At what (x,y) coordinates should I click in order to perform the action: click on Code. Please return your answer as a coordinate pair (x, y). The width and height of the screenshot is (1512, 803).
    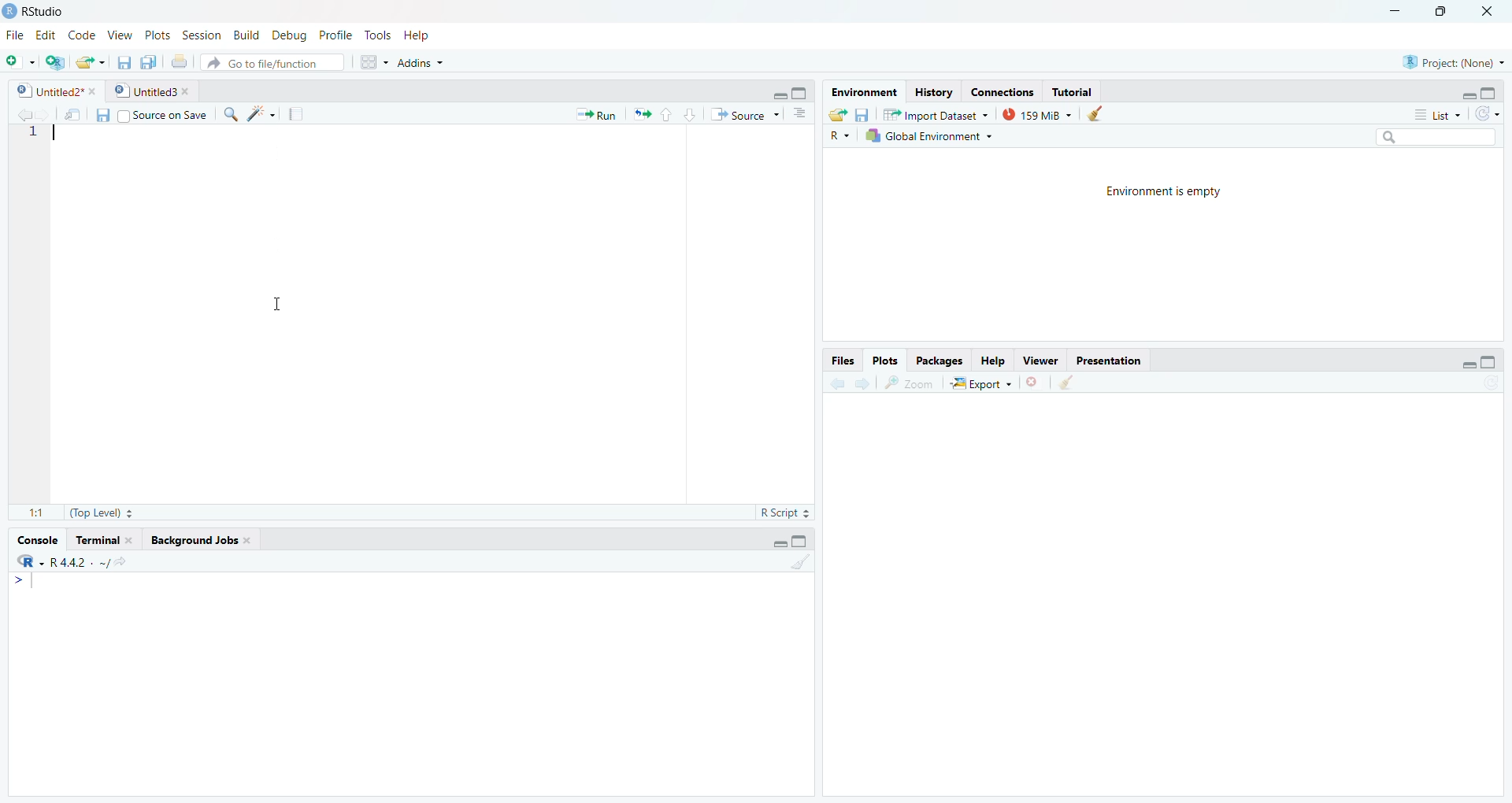
    Looking at the image, I should click on (83, 35).